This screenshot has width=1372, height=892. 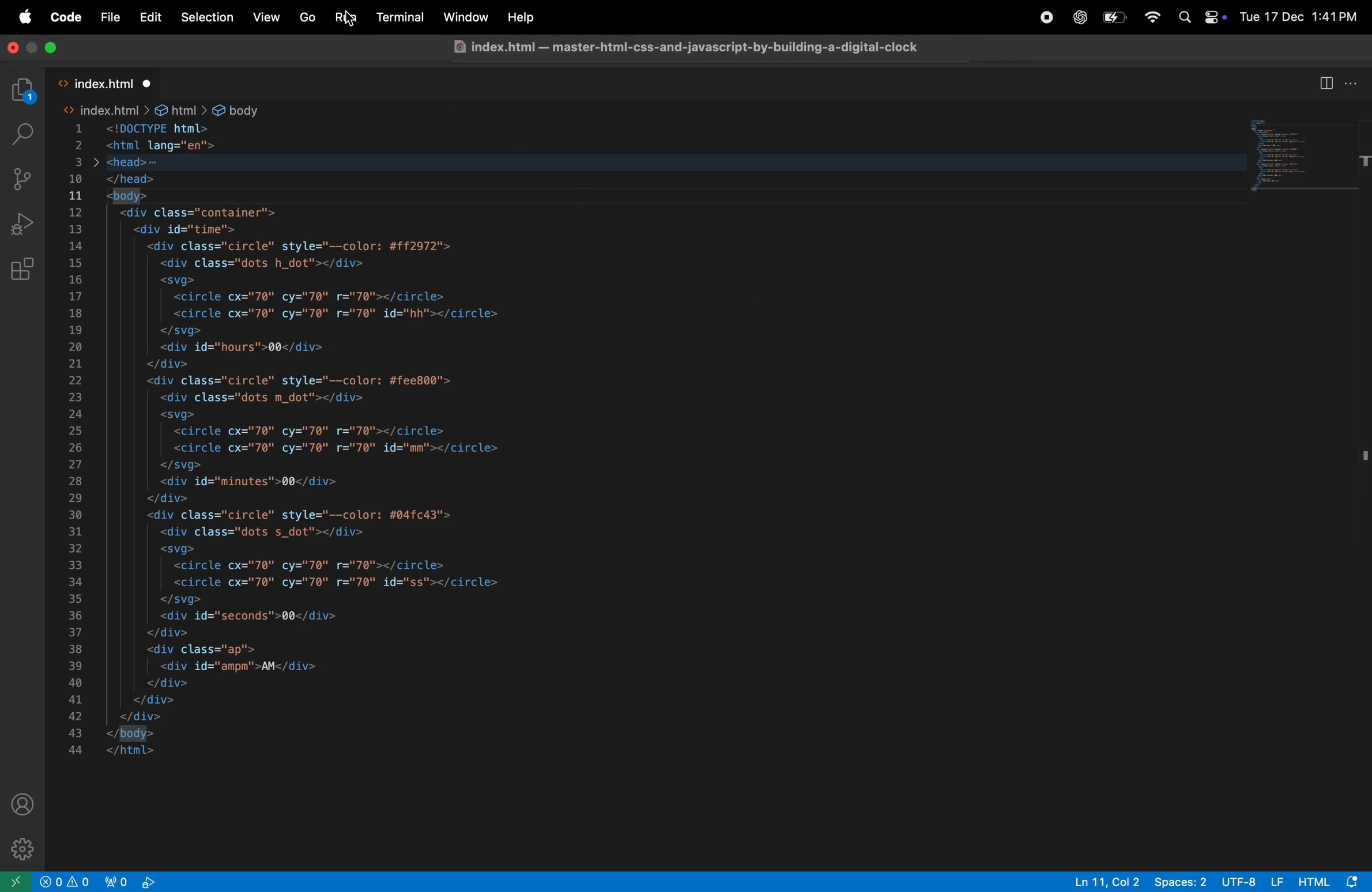 I want to click on split terminal, so click(x=1326, y=82).